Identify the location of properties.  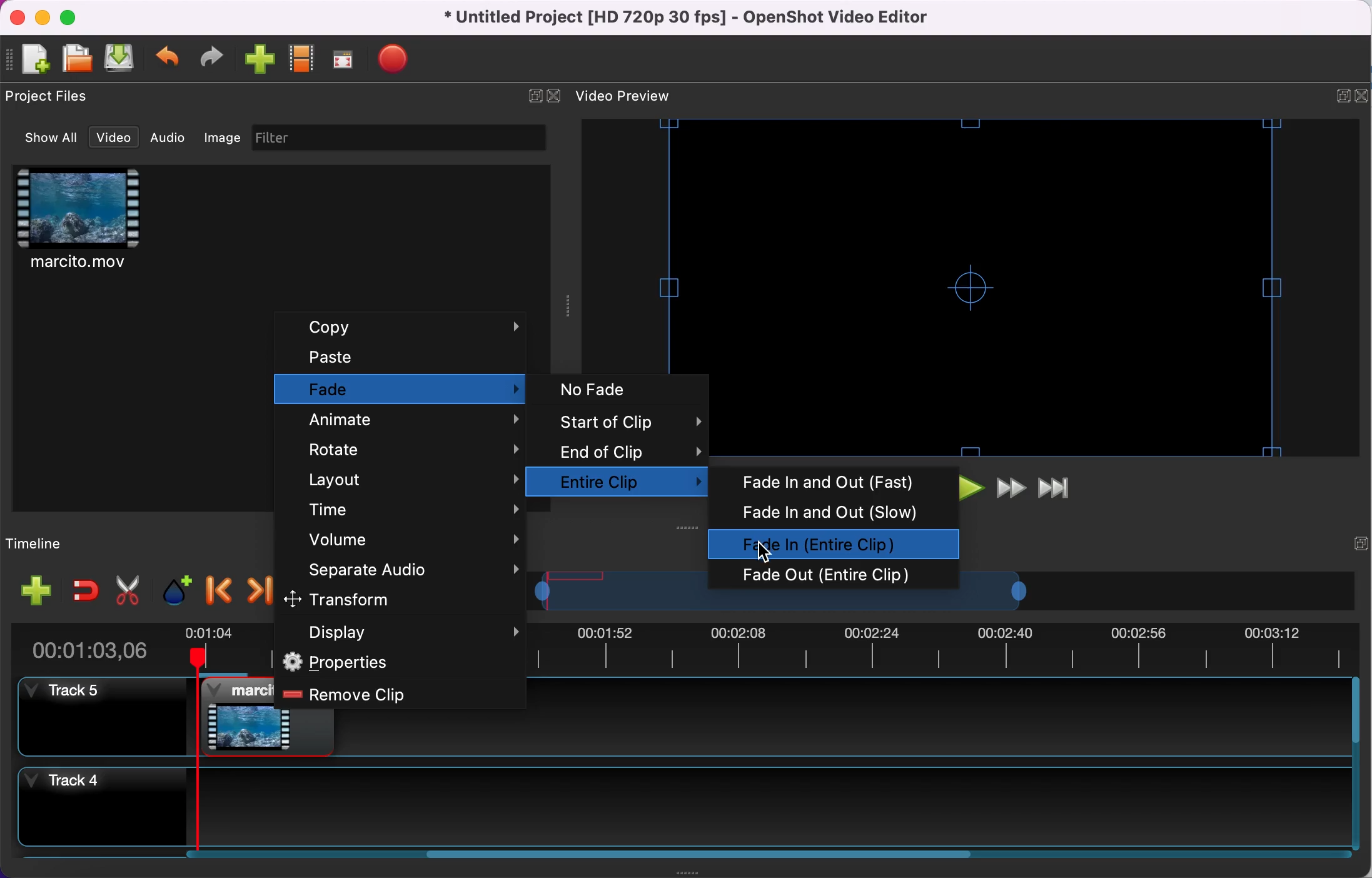
(386, 664).